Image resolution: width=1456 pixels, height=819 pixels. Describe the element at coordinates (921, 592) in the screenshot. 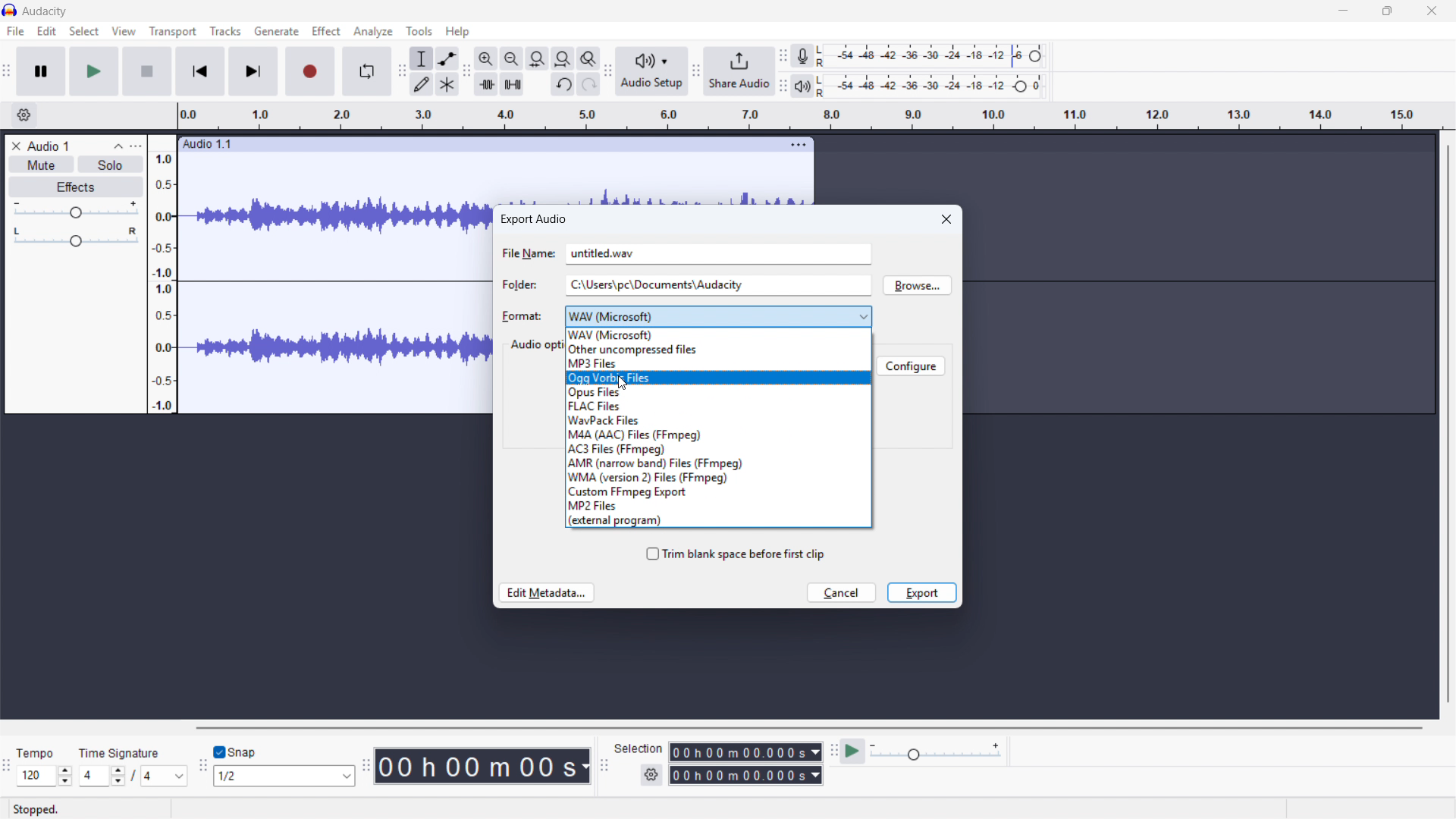

I see `Export ` at that location.